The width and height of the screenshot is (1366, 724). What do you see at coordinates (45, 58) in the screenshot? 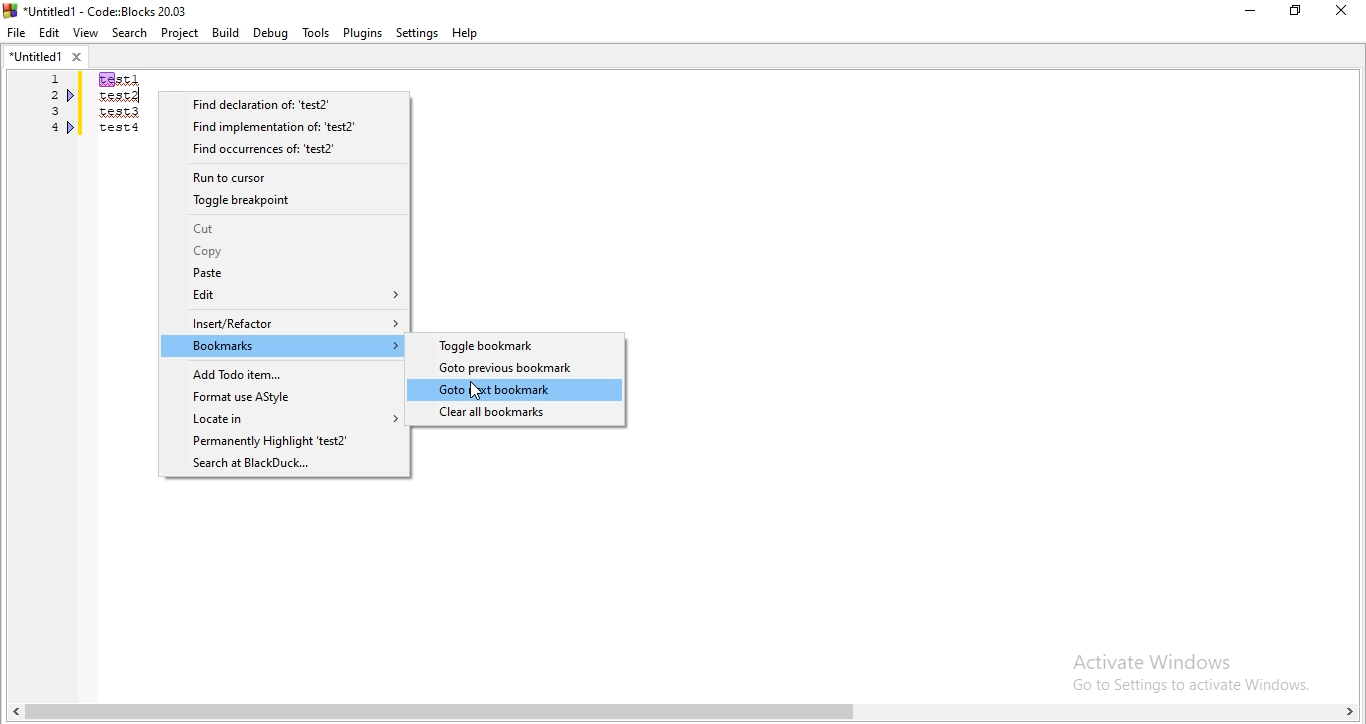
I see `untitled tab` at bounding box center [45, 58].